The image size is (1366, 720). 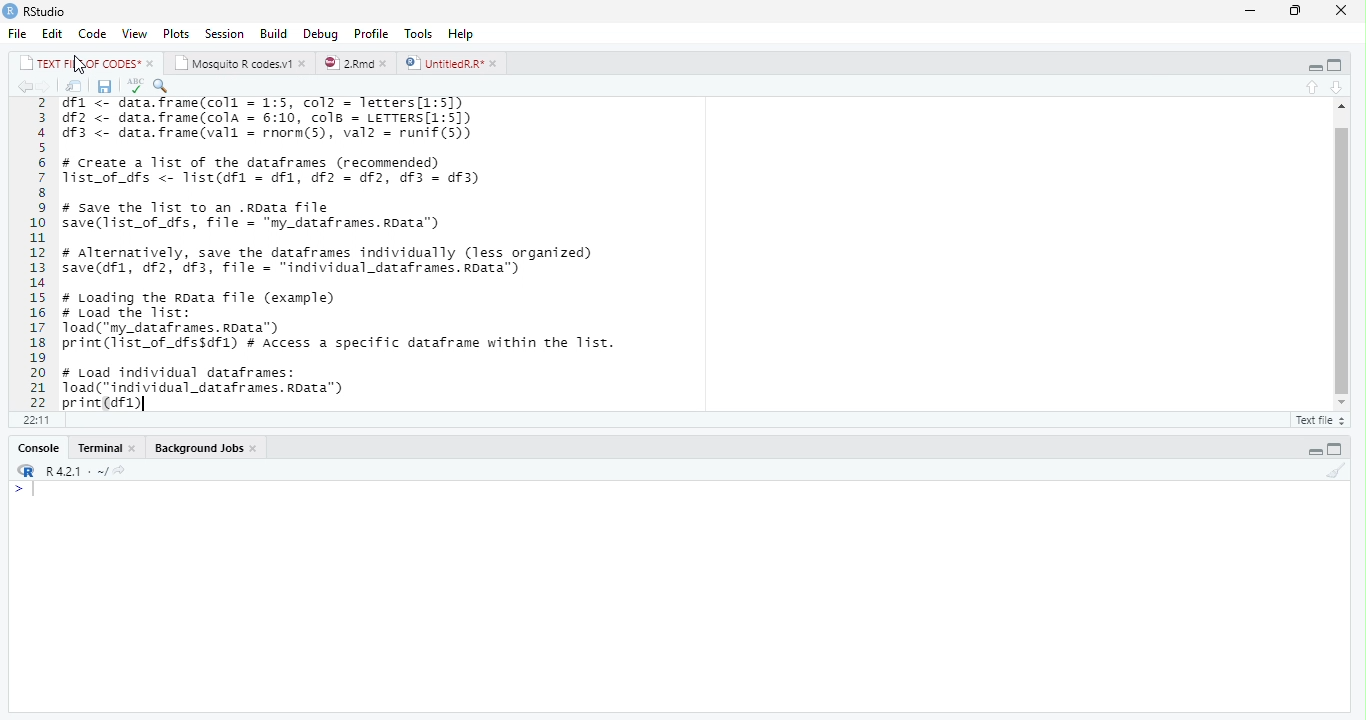 I want to click on Tools, so click(x=421, y=33).